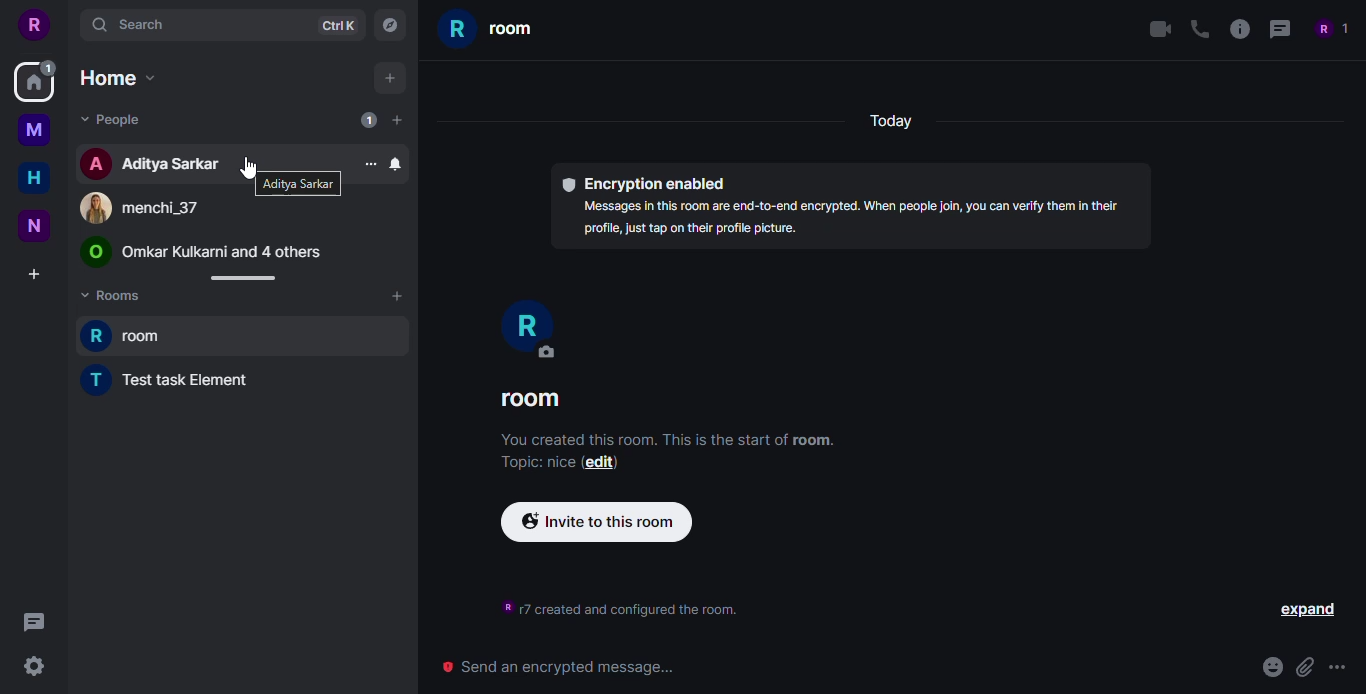 The image size is (1366, 694). What do you see at coordinates (131, 24) in the screenshot?
I see `search` at bounding box center [131, 24].